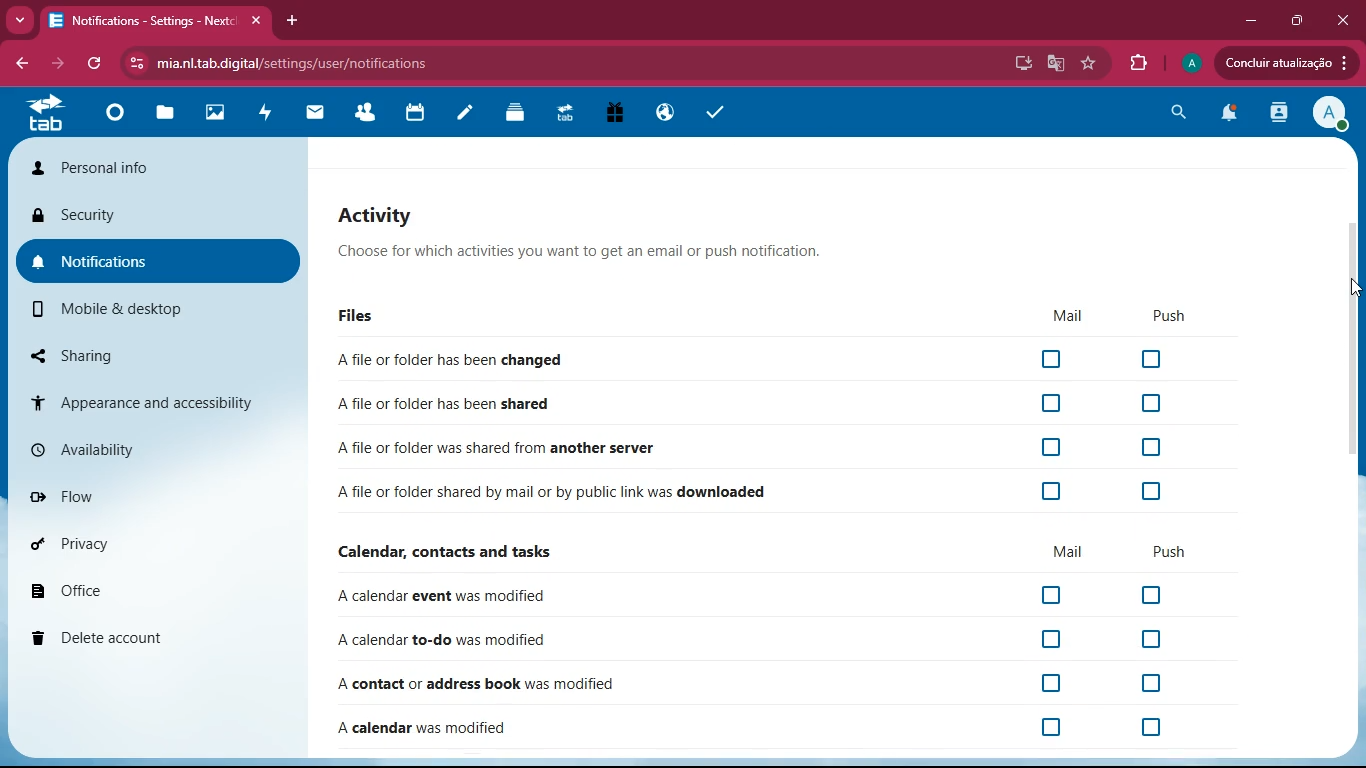  What do you see at coordinates (665, 110) in the screenshot?
I see `public` at bounding box center [665, 110].